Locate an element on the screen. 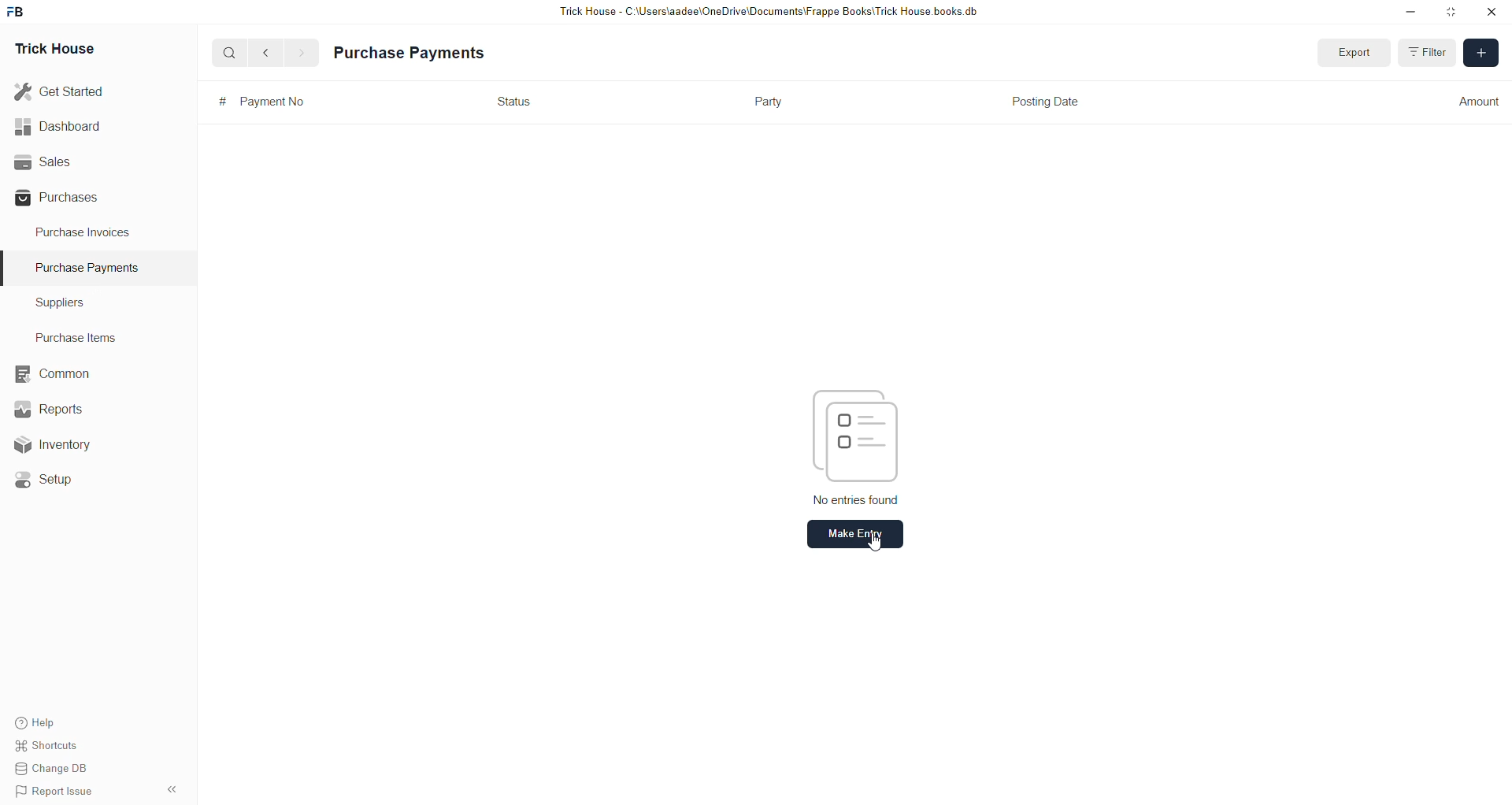  Change DB is located at coordinates (51, 767).